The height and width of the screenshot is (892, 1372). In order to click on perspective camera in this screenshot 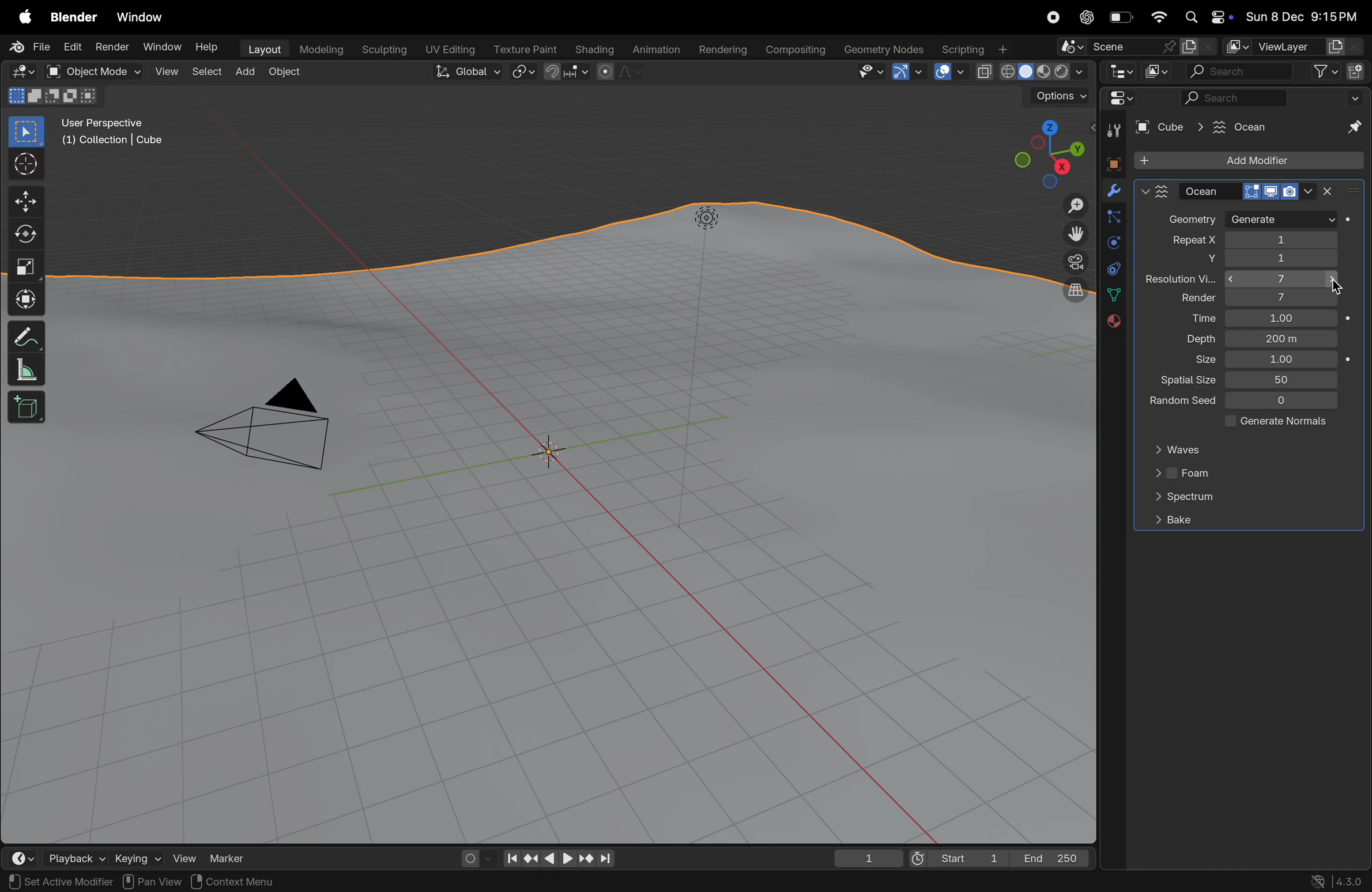, I will do `click(275, 429)`.